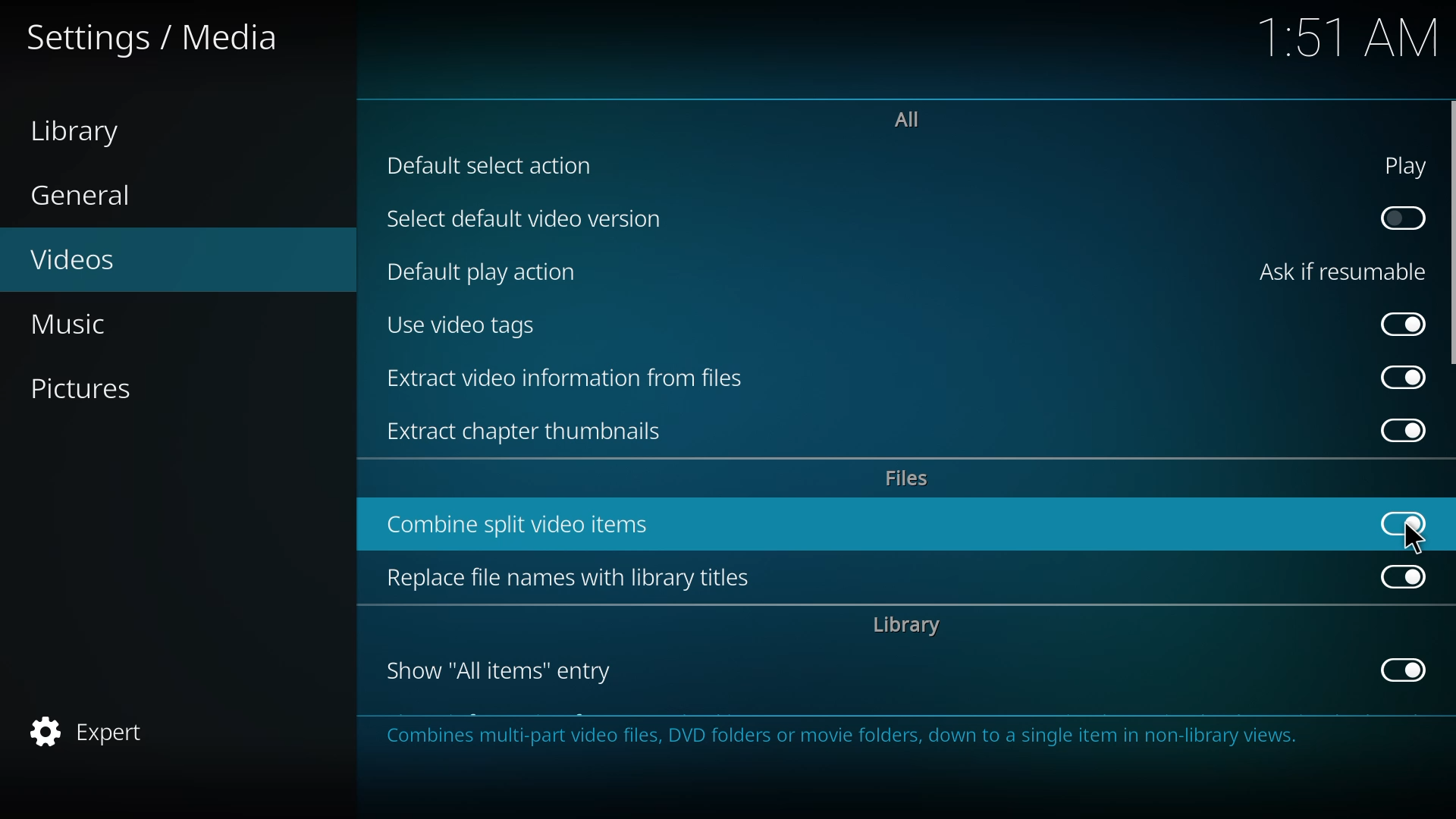  Describe the element at coordinates (525, 219) in the screenshot. I see `select default video version` at that location.